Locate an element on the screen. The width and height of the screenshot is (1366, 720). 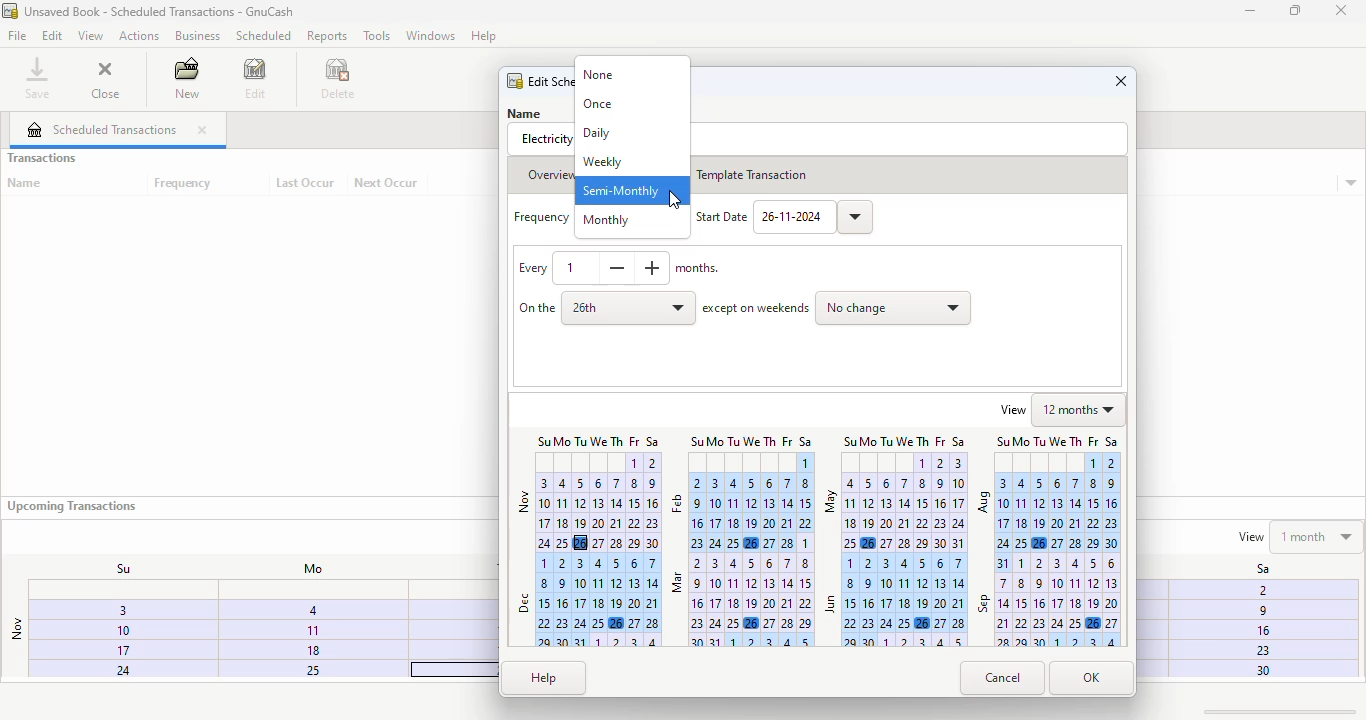
25 is located at coordinates (302, 670).